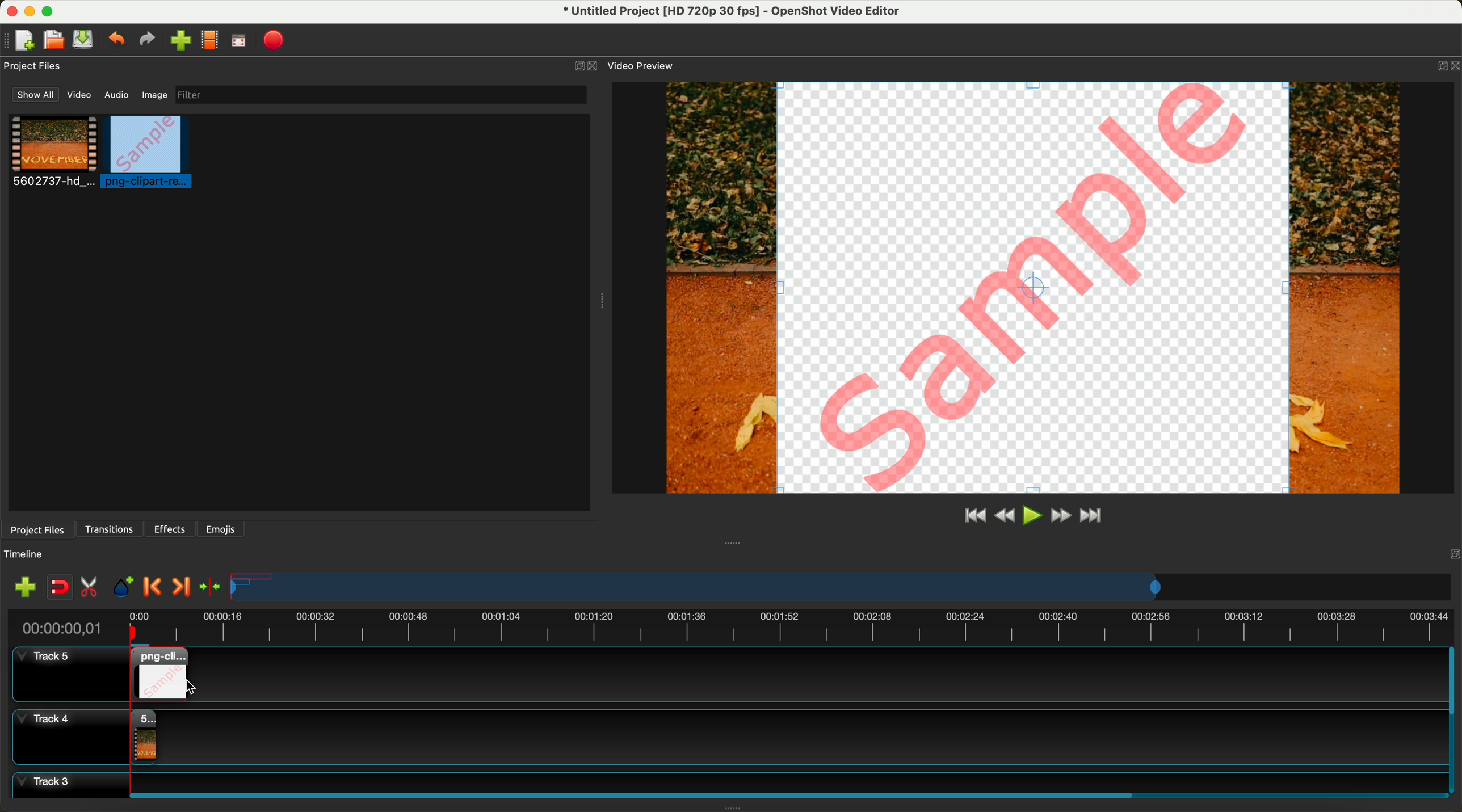 The image size is (1462, 812). What do you see at coordinates (1003, 517) in the screenshot?
I see `rewind` at bounding box center [1003, 517].